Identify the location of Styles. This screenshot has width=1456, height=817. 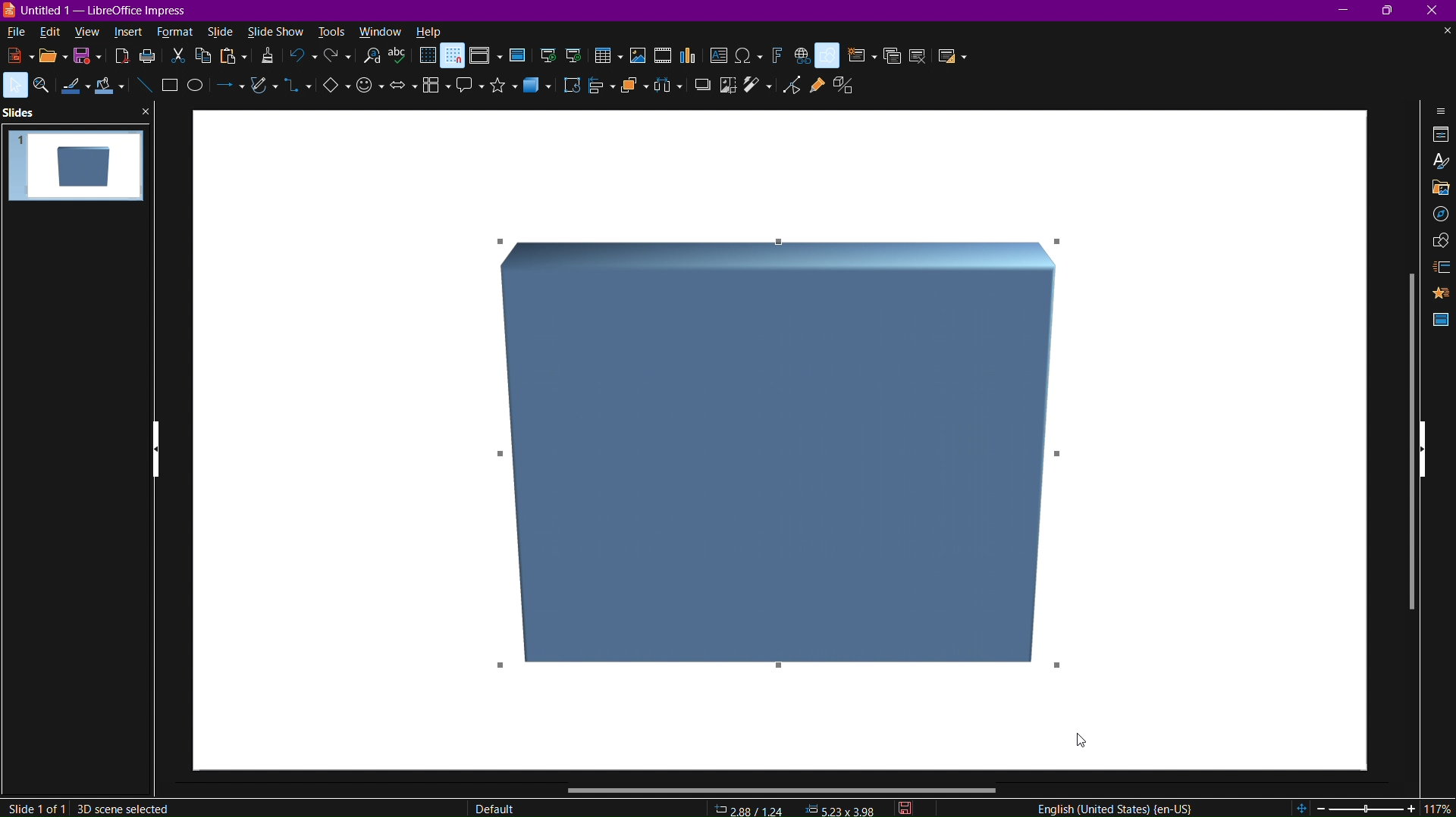
(1438, 162).